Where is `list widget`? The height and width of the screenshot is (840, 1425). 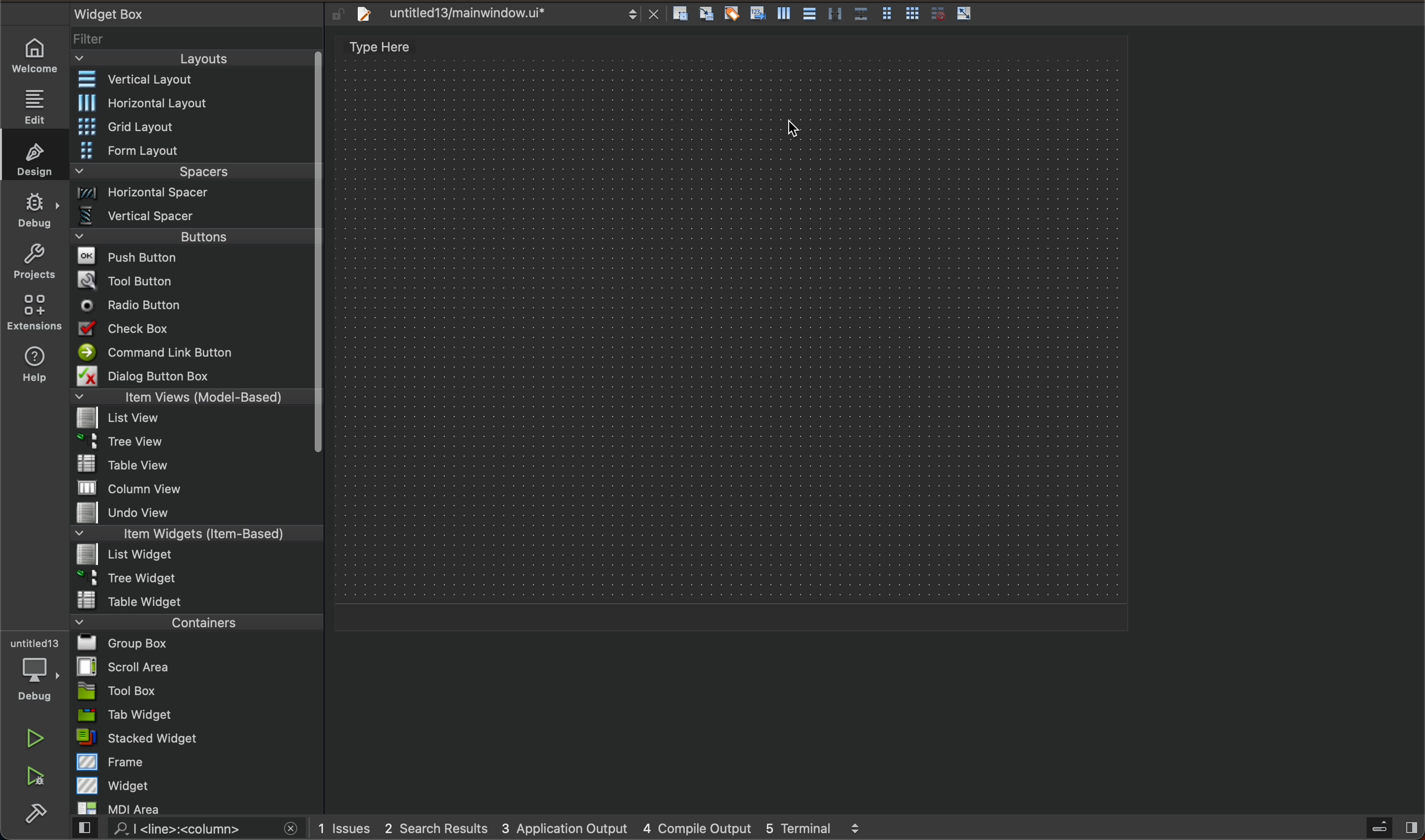
list widget is located at coordinates (193, 556).